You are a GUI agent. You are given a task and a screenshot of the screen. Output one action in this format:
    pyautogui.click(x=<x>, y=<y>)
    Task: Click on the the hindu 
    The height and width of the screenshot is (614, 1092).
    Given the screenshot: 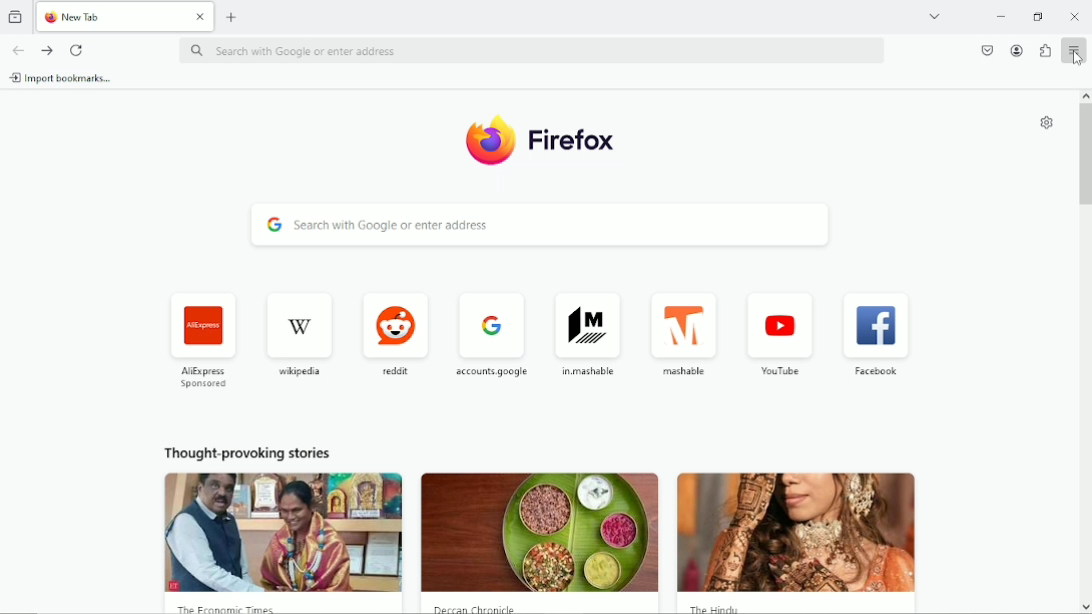 What is the action you would take?
    pyautogui.click(x=717, y=607)
    